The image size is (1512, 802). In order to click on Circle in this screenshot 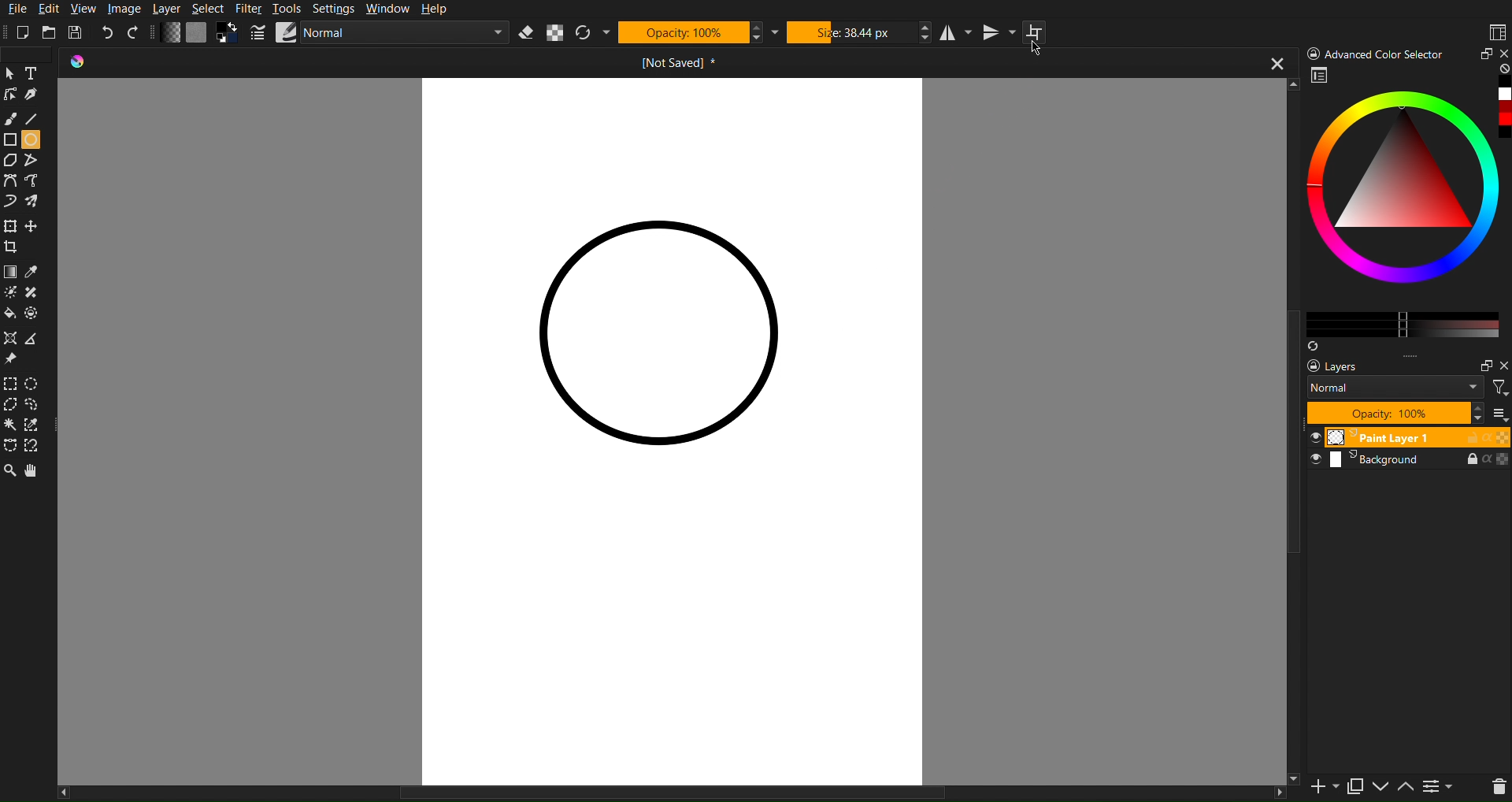, I will do `click(661, 326)`.